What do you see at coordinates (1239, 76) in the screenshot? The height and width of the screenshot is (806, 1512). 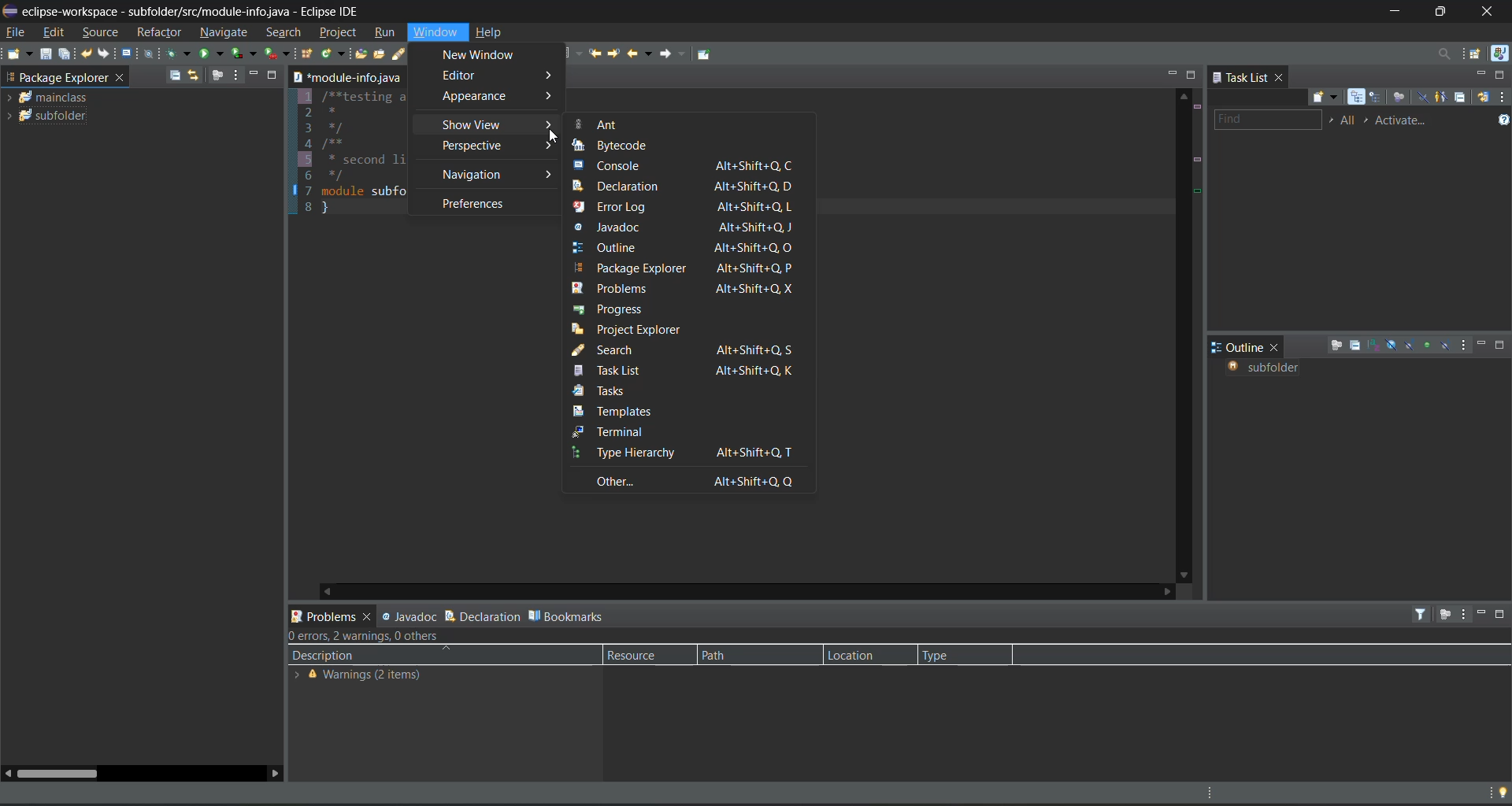 I see `task list` at bounding box center [1239, 76].